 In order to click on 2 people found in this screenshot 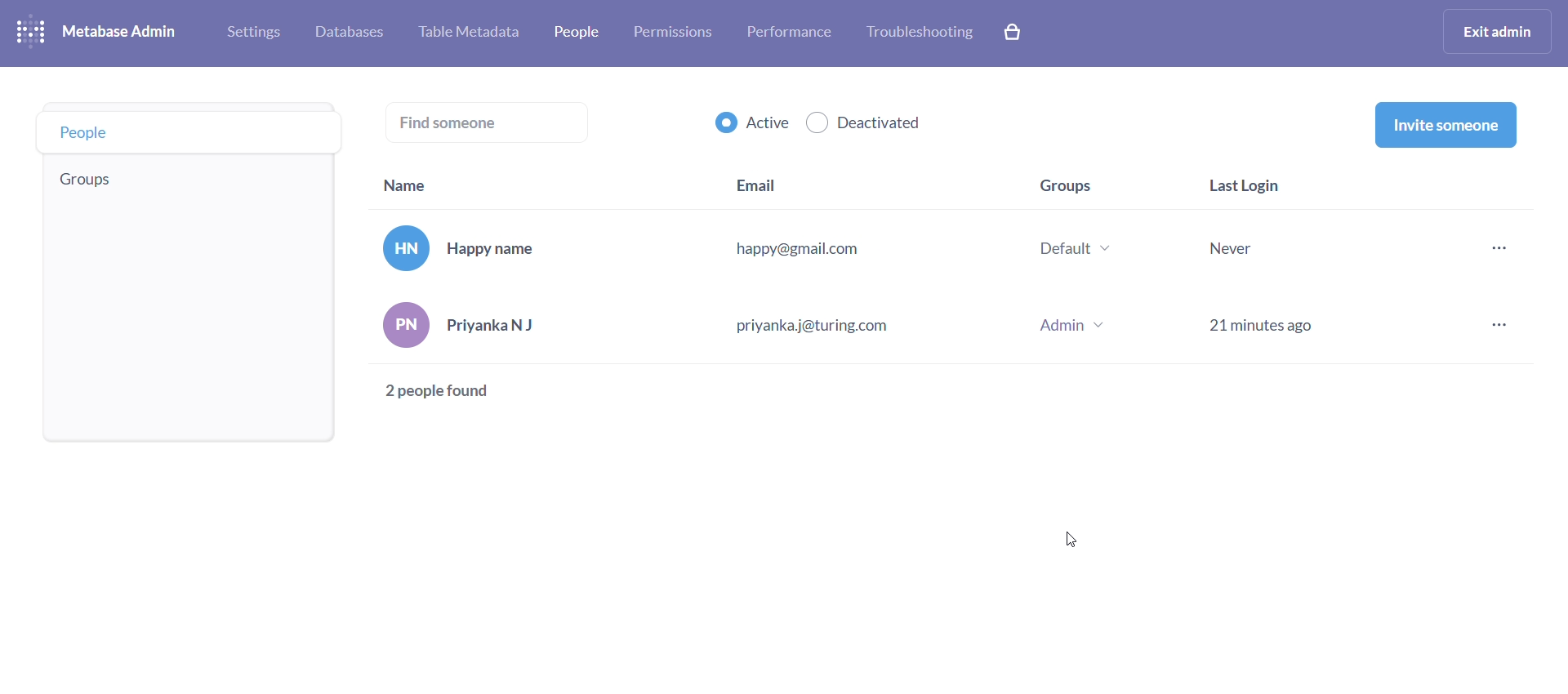, I will do `click(441, 392)`.